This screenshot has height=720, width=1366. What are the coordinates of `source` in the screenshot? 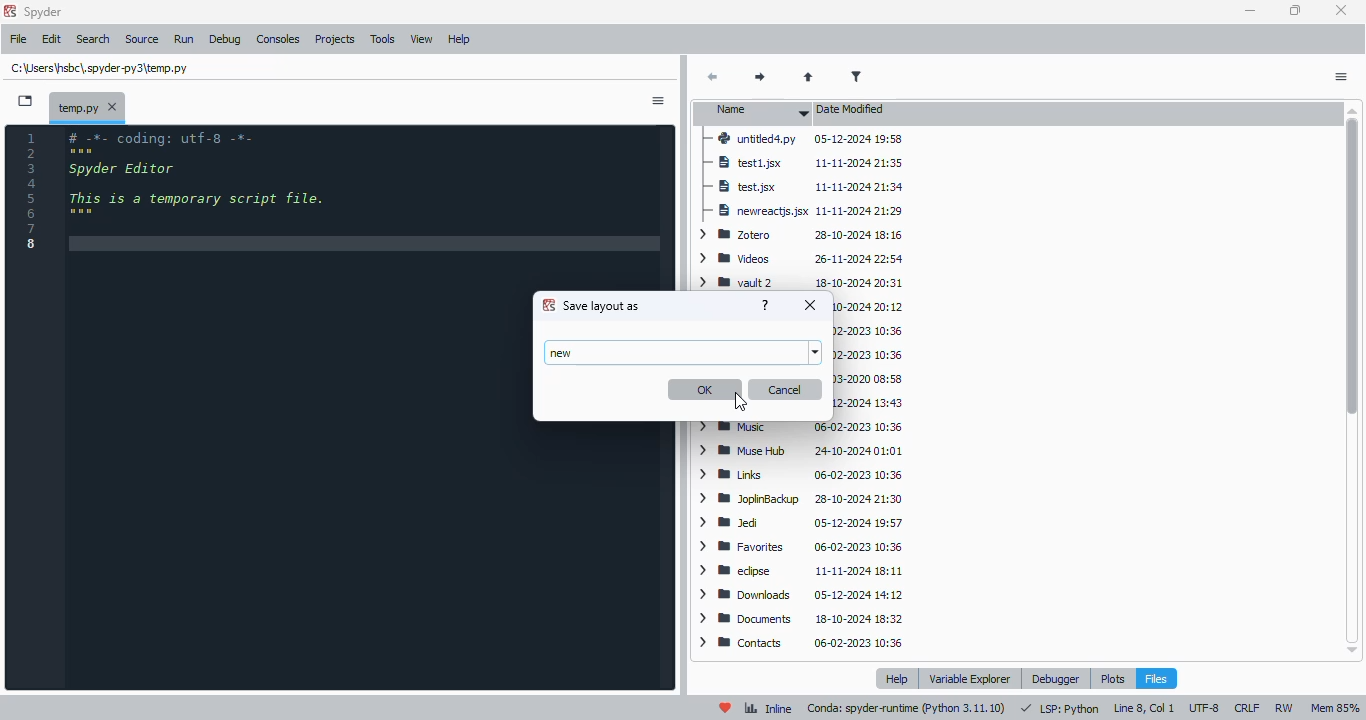 It's located at (143, 40).